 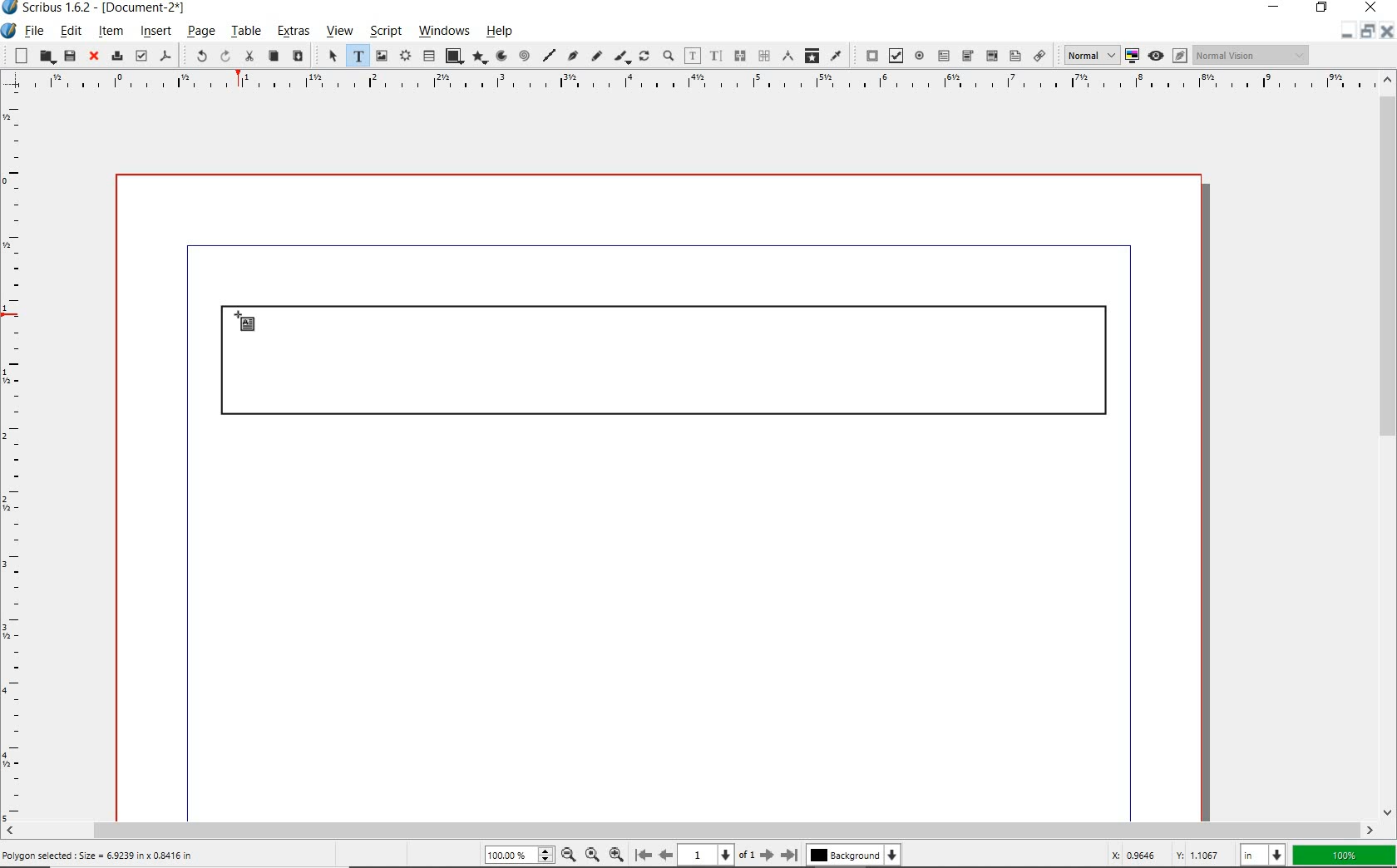 I want to click on pdf push button, so click(x=867, y=55).